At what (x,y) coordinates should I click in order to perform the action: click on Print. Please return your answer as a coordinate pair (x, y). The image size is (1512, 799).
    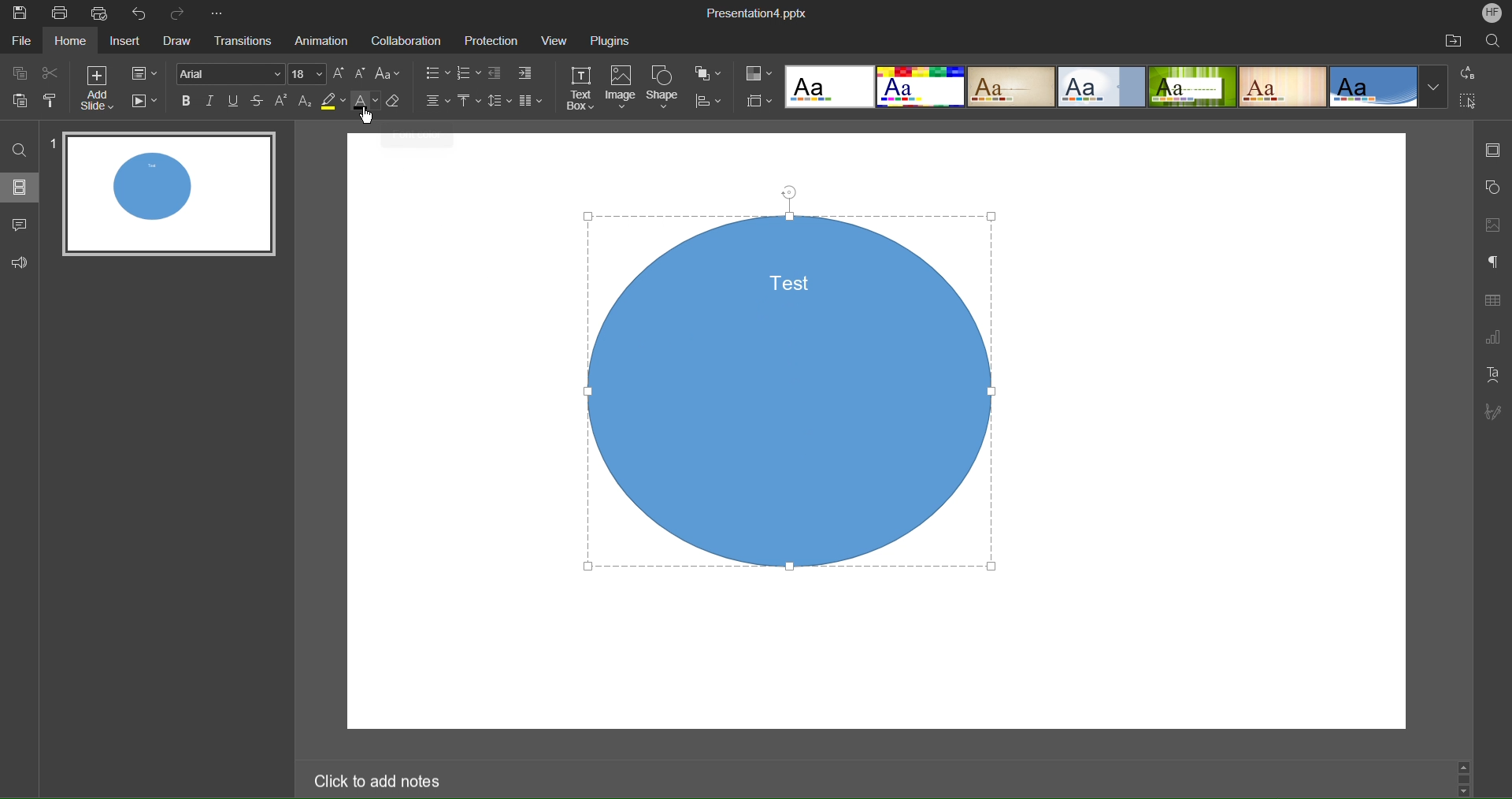
    Looking at the image, I should click on (65, 15).